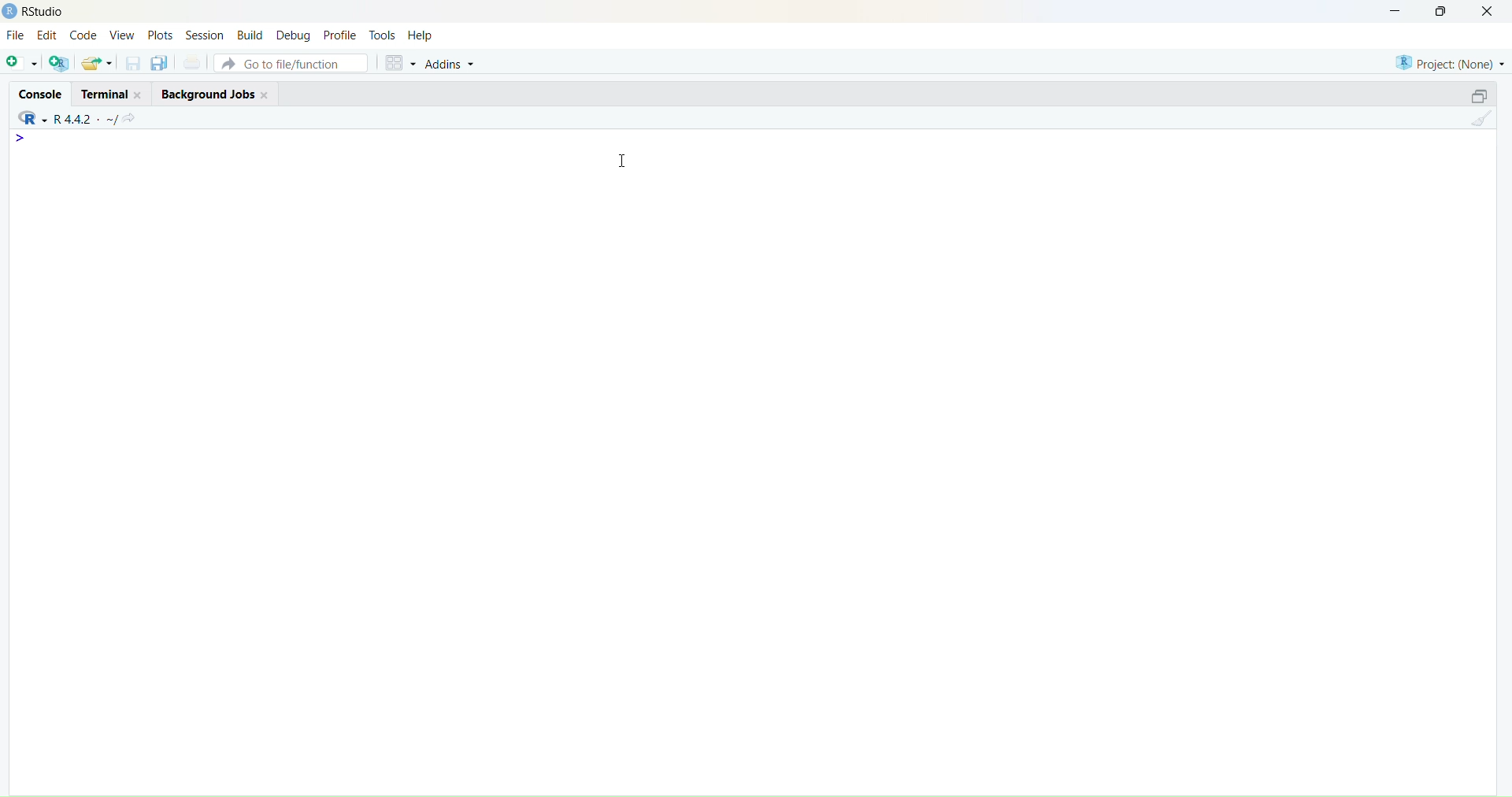 The height and width of the screenshot is (797, 1512). Describe the element at coordinates (116, 93) in the screenshot. I see `Terminal` at that location.